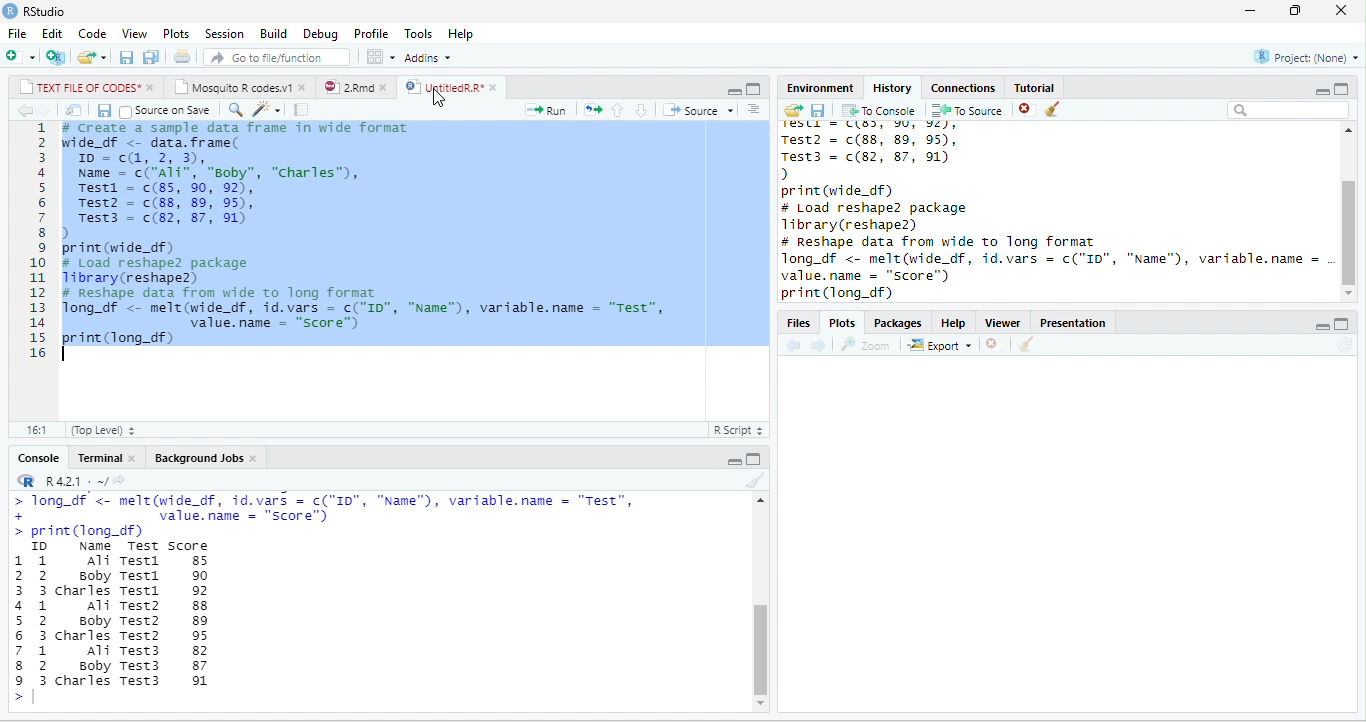 The width and height of the screenshot is (1366, 722). Describe the element at coordinates (1027, 344) in the screenshot. I see `clear` at that location.